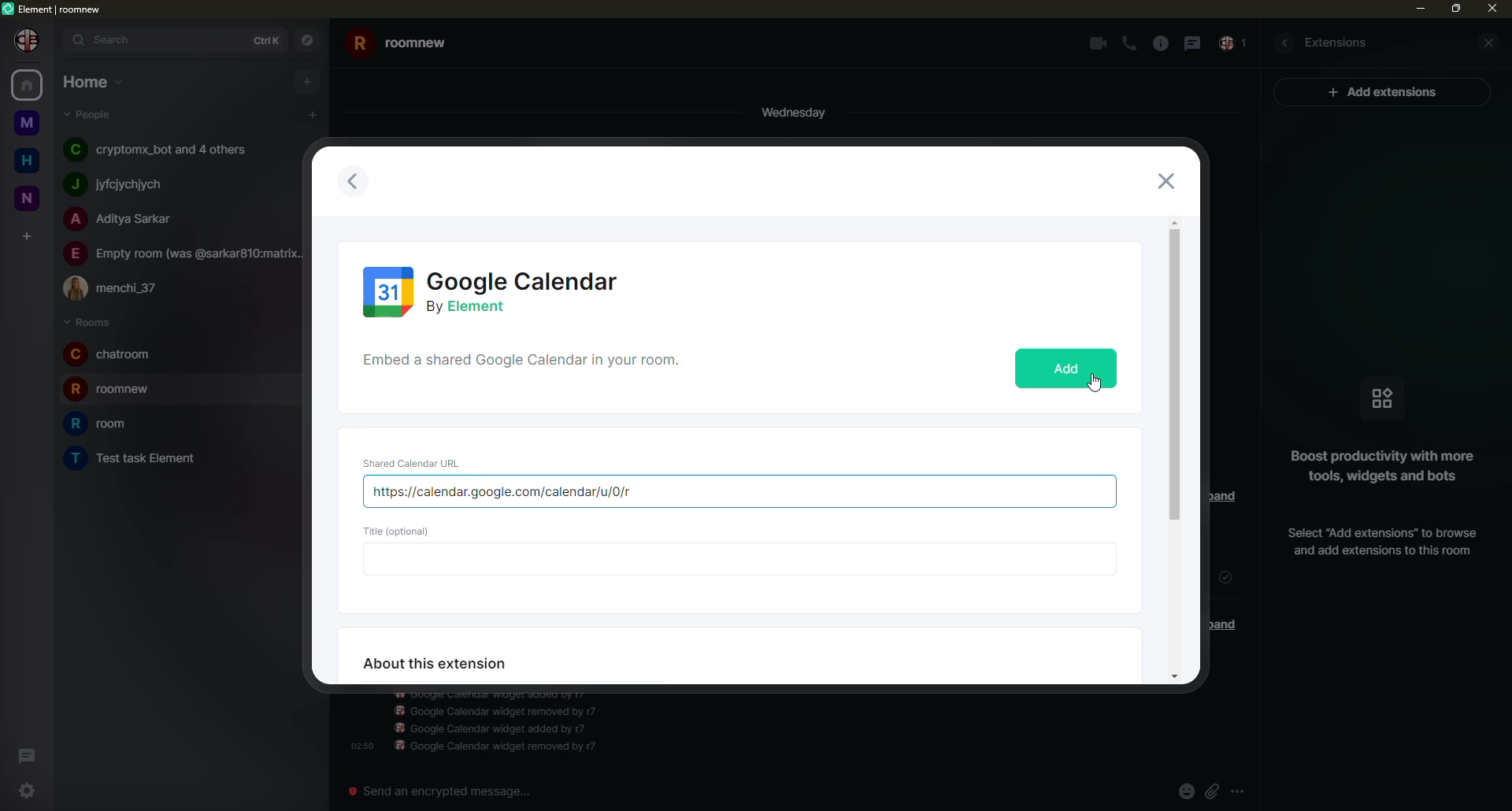 Image resolution: width=1512 pixels, height=811 pixels. What do you see at coordinates (115, 185) in the screenshot?
I see `people` at bounding box center [115, 185].